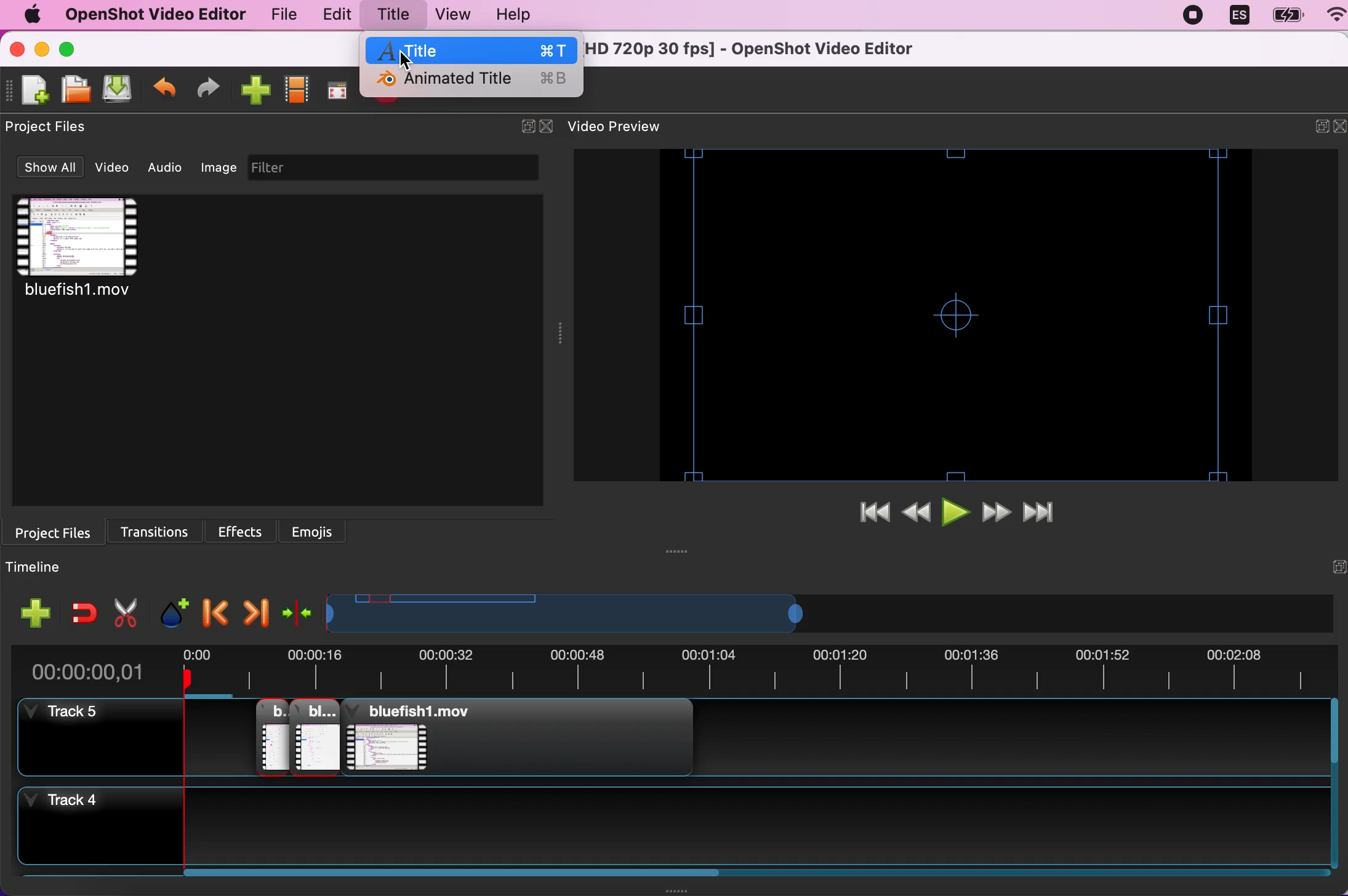  What do you see at coordinates (656, 614) in the screenshot?
I see `video duration` at bounding box center [656, 614].